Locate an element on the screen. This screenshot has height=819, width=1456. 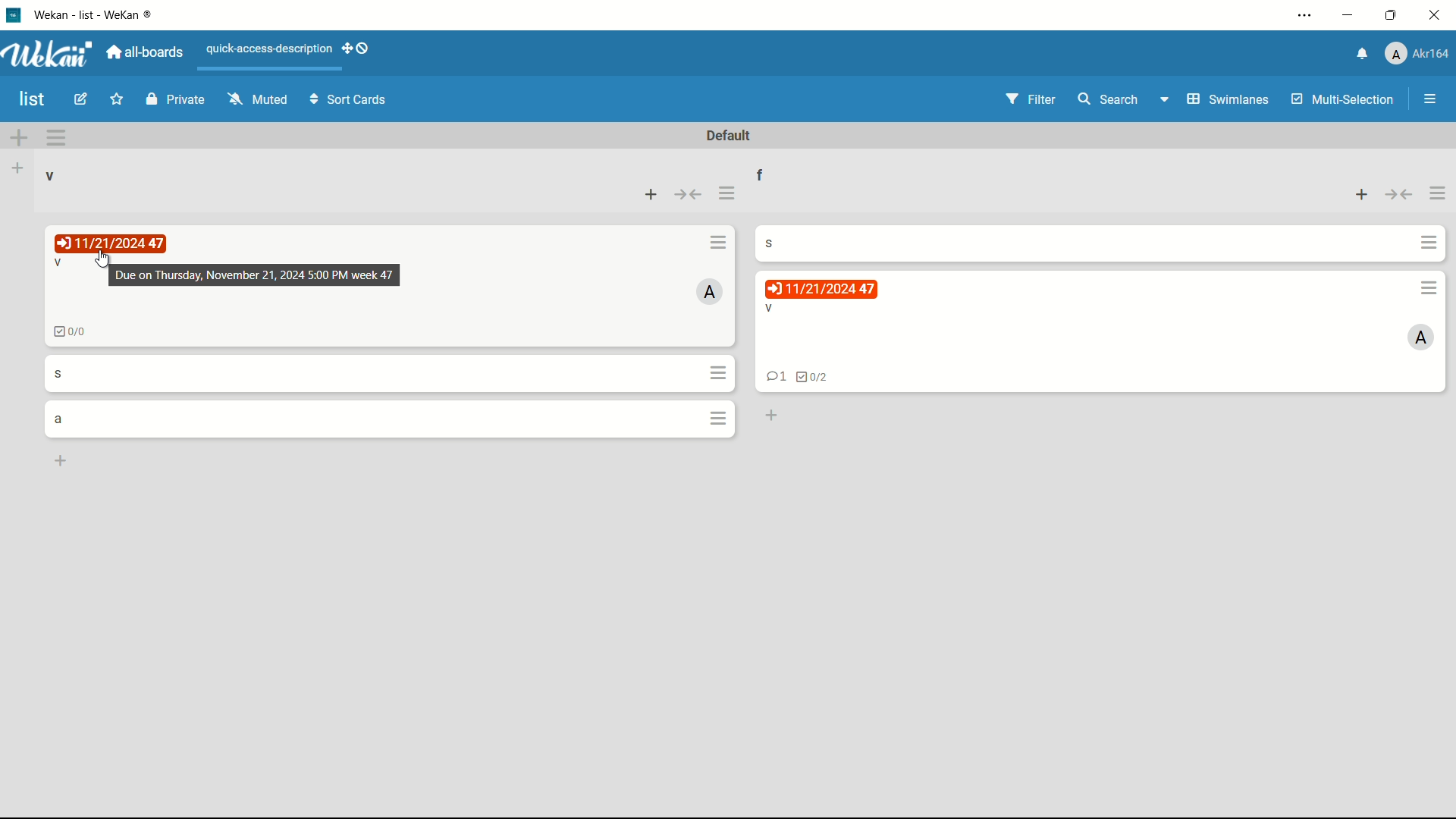
board name is located at coordinates (33, 99).